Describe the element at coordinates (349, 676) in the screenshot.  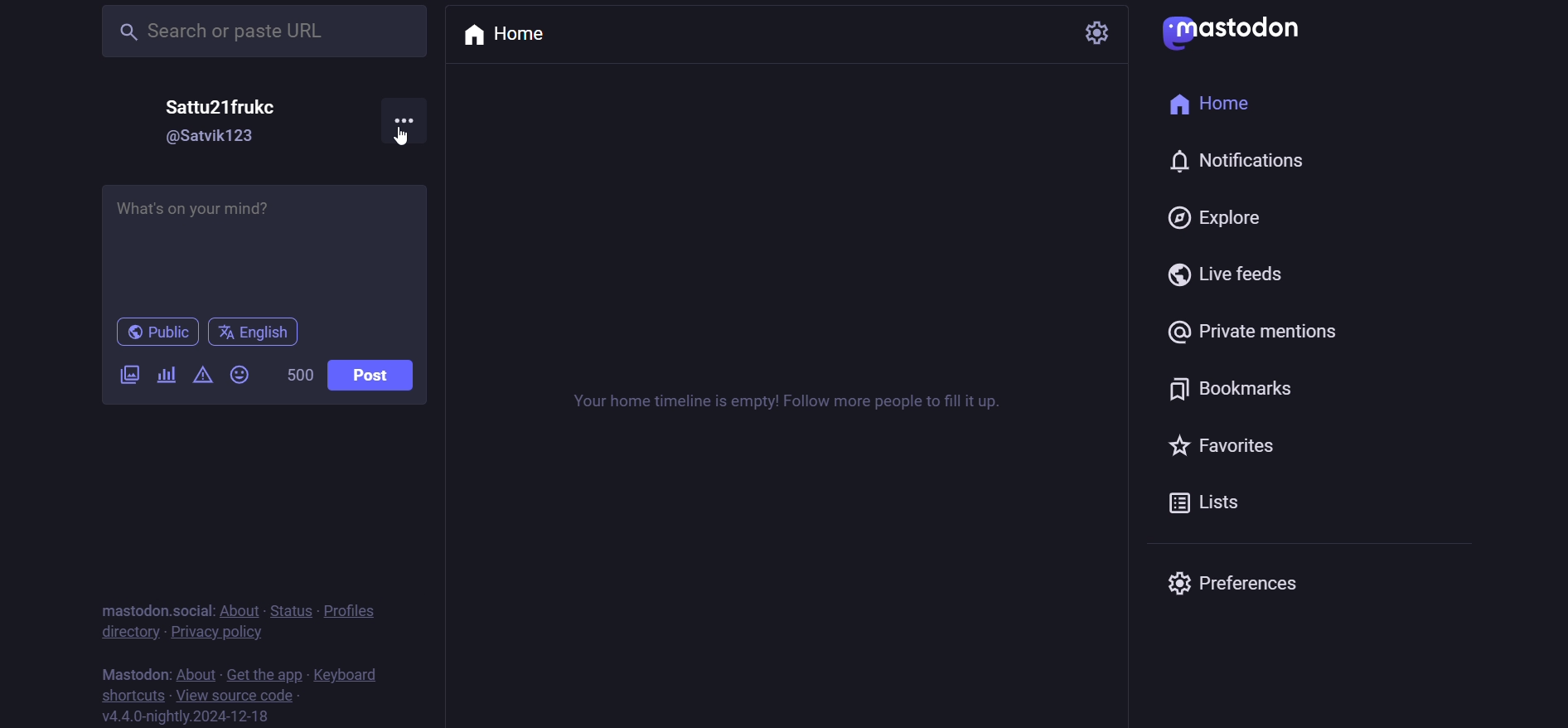
I see `keyboard` at that location.